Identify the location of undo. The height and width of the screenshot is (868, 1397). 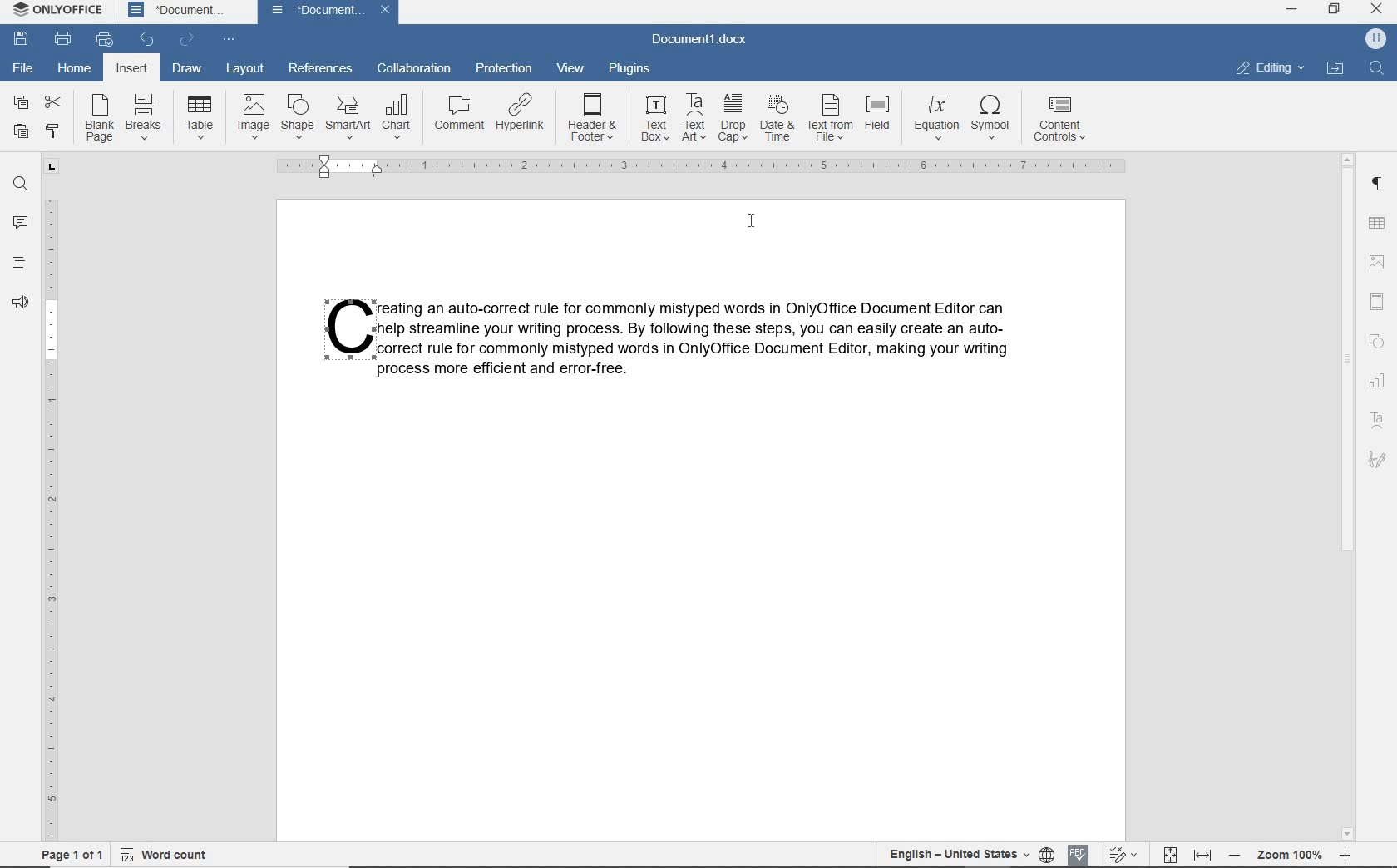
(148, 40).